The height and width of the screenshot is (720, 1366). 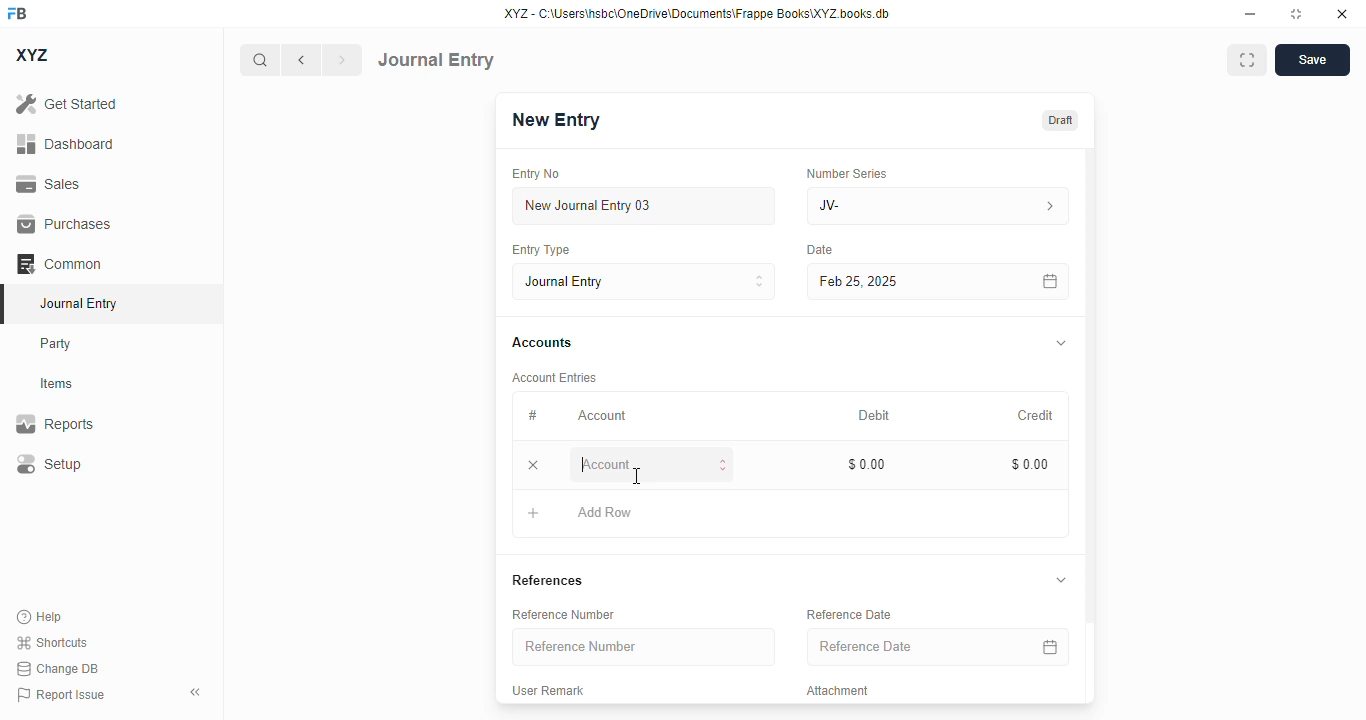 I want to click on user remark, so click(x=547, y=690).